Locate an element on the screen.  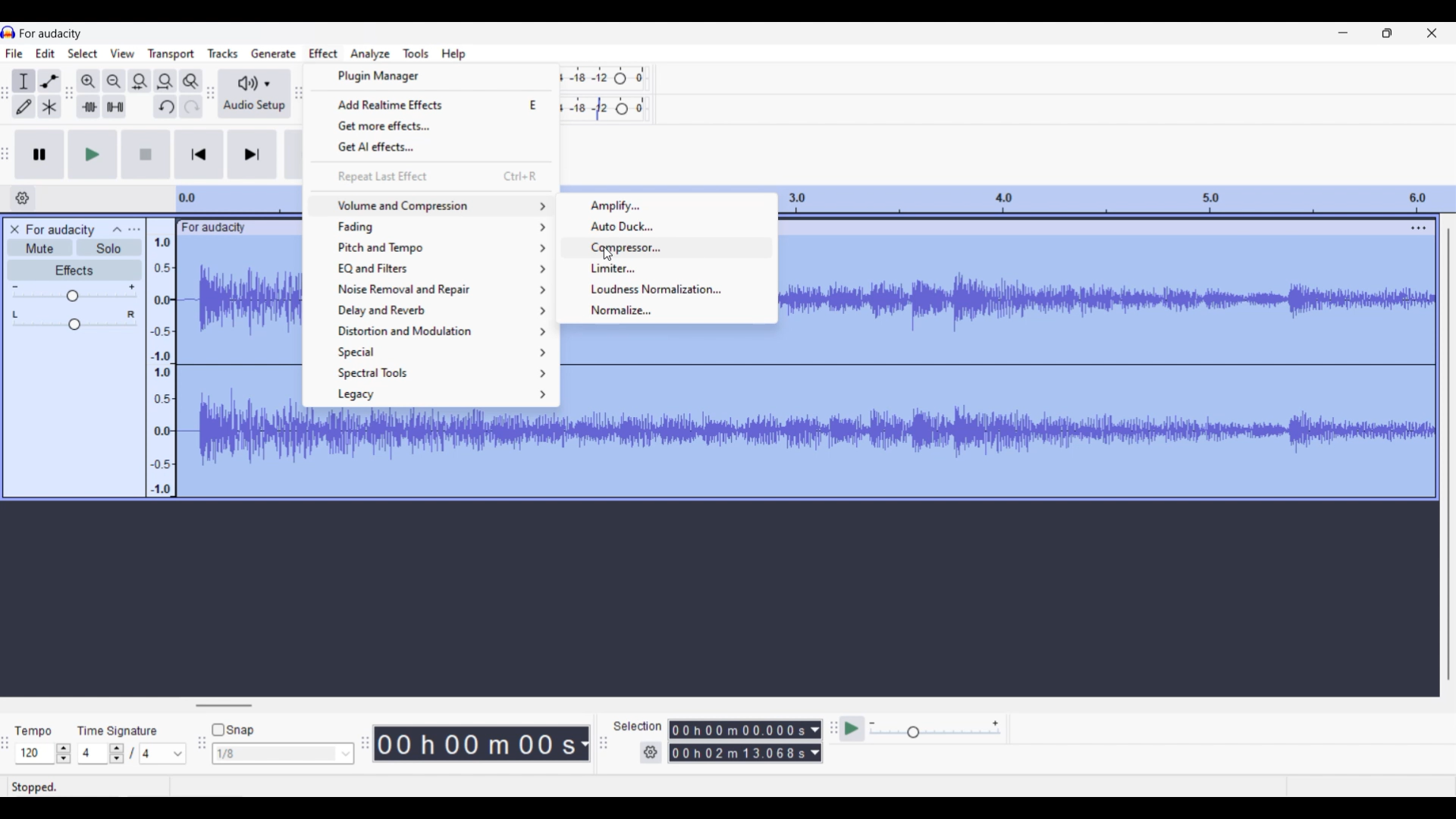
Help menu is located at coordinates (454, 55).